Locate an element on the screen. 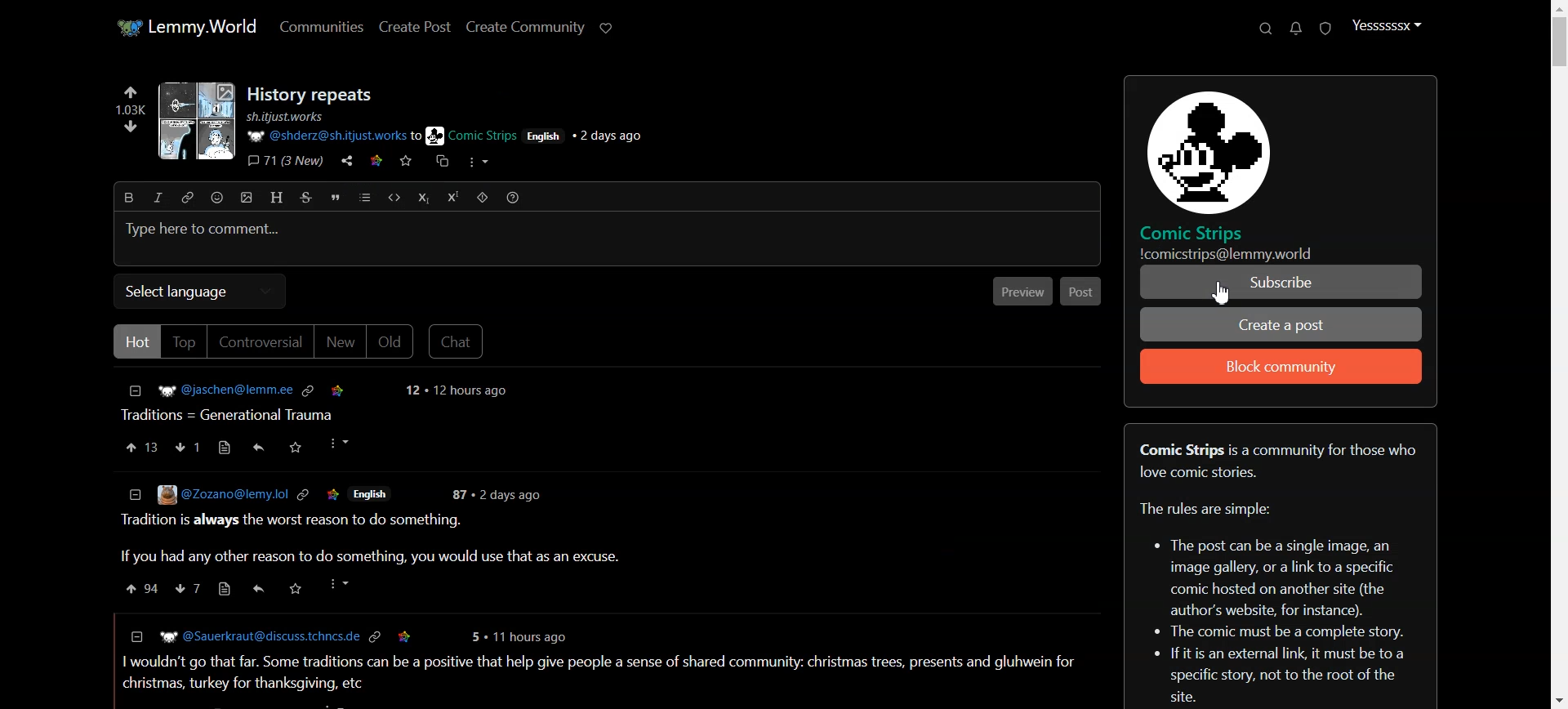 This screenshot has height=709, width=1568. Cursor is located at coordinates (1219, 291).